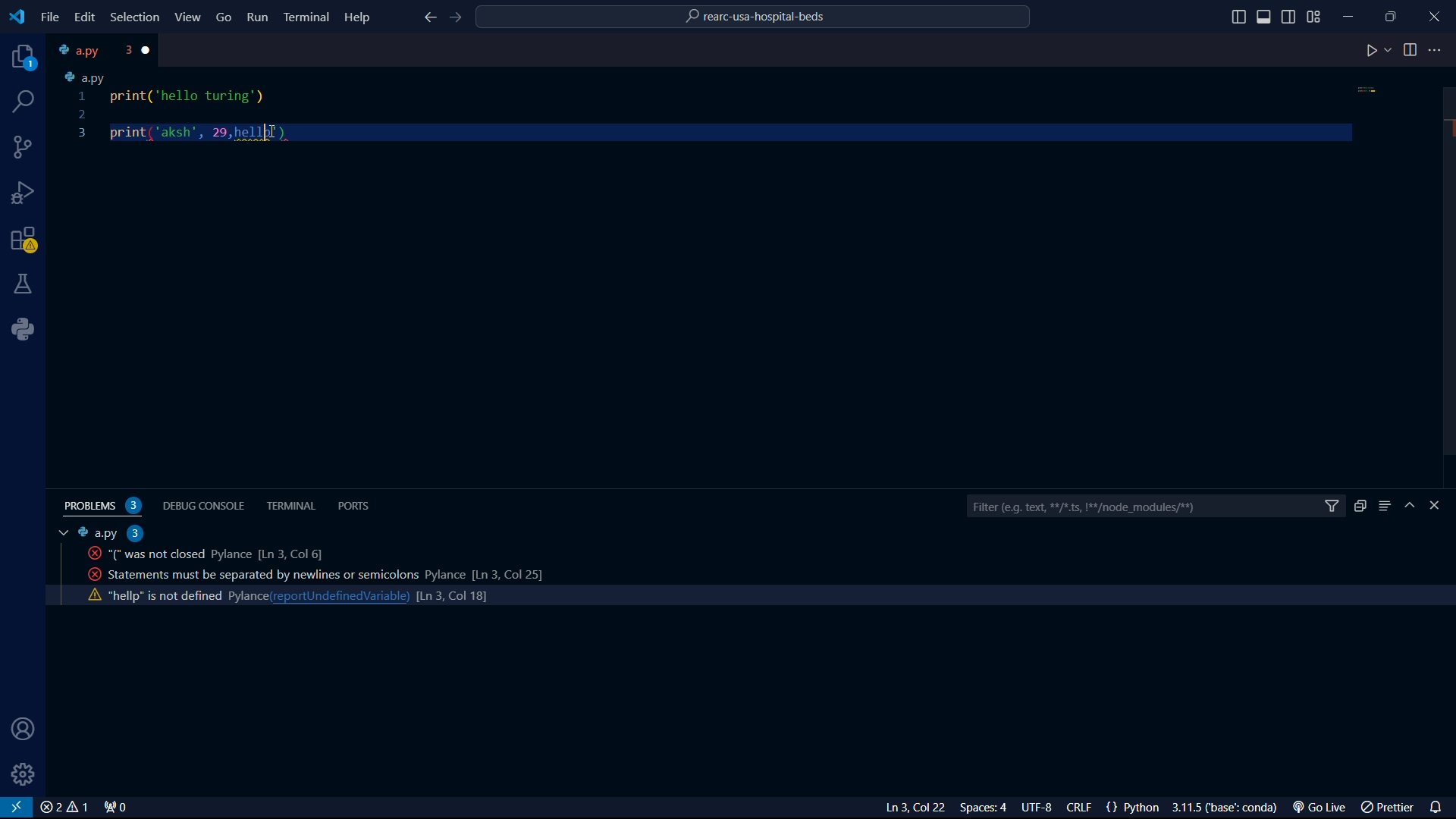 Image resolution: width=1456 pixels, height=819 pixels. Describe the element at coordinates (59, 533) in the screenshot. I see `tab` at that location.